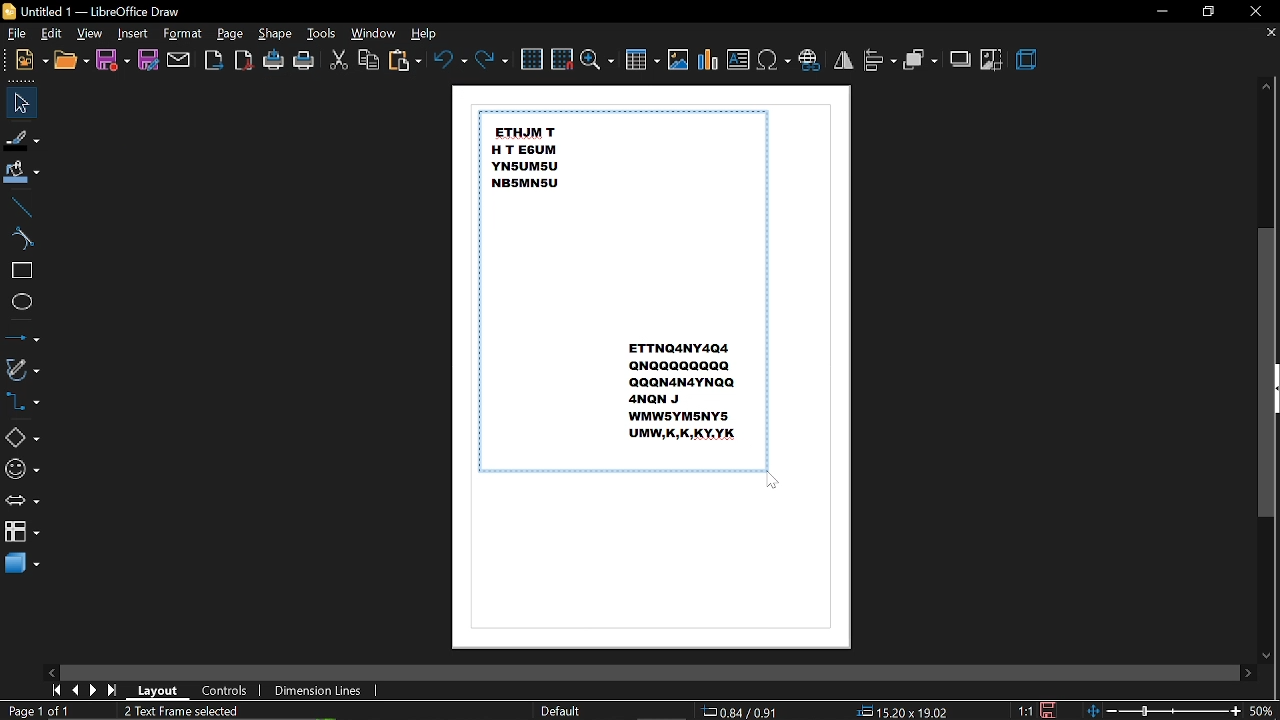 The width and height of the screenshot is (1280, 720). I want to click on ellipse, so click(21, 302).